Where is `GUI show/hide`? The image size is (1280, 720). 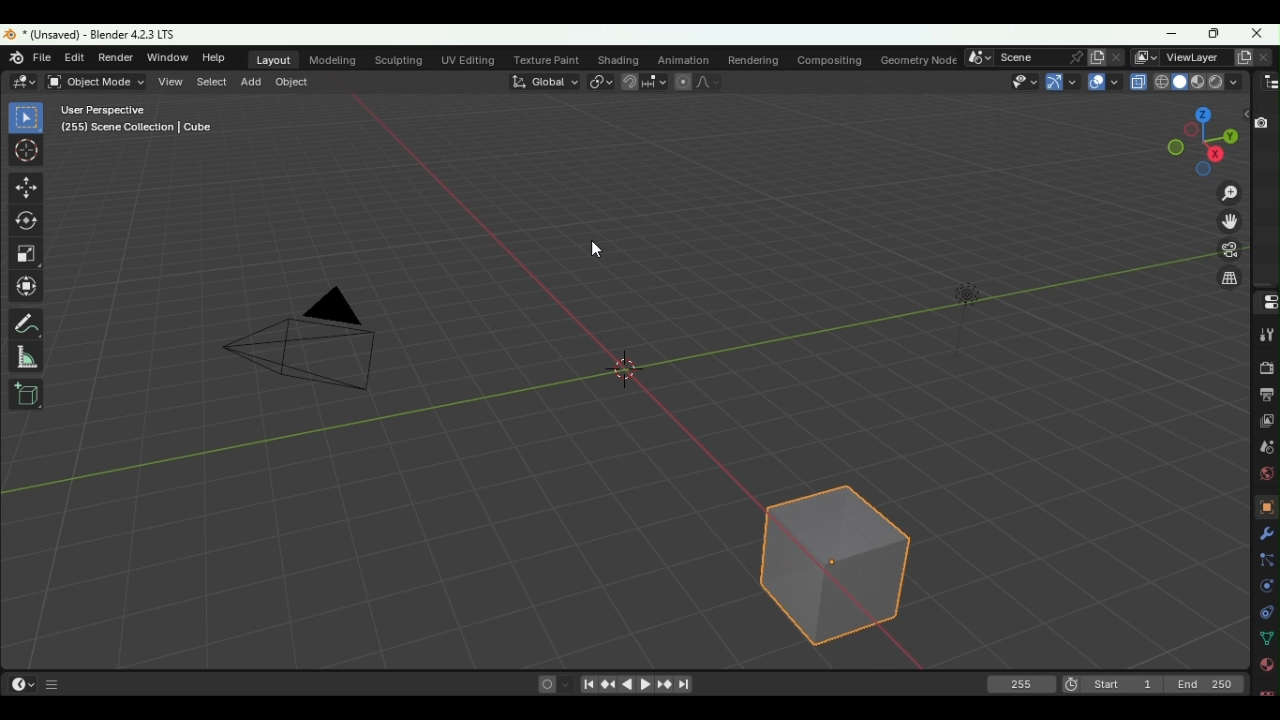
GUI show/hide is located at coordinates (55, 686).